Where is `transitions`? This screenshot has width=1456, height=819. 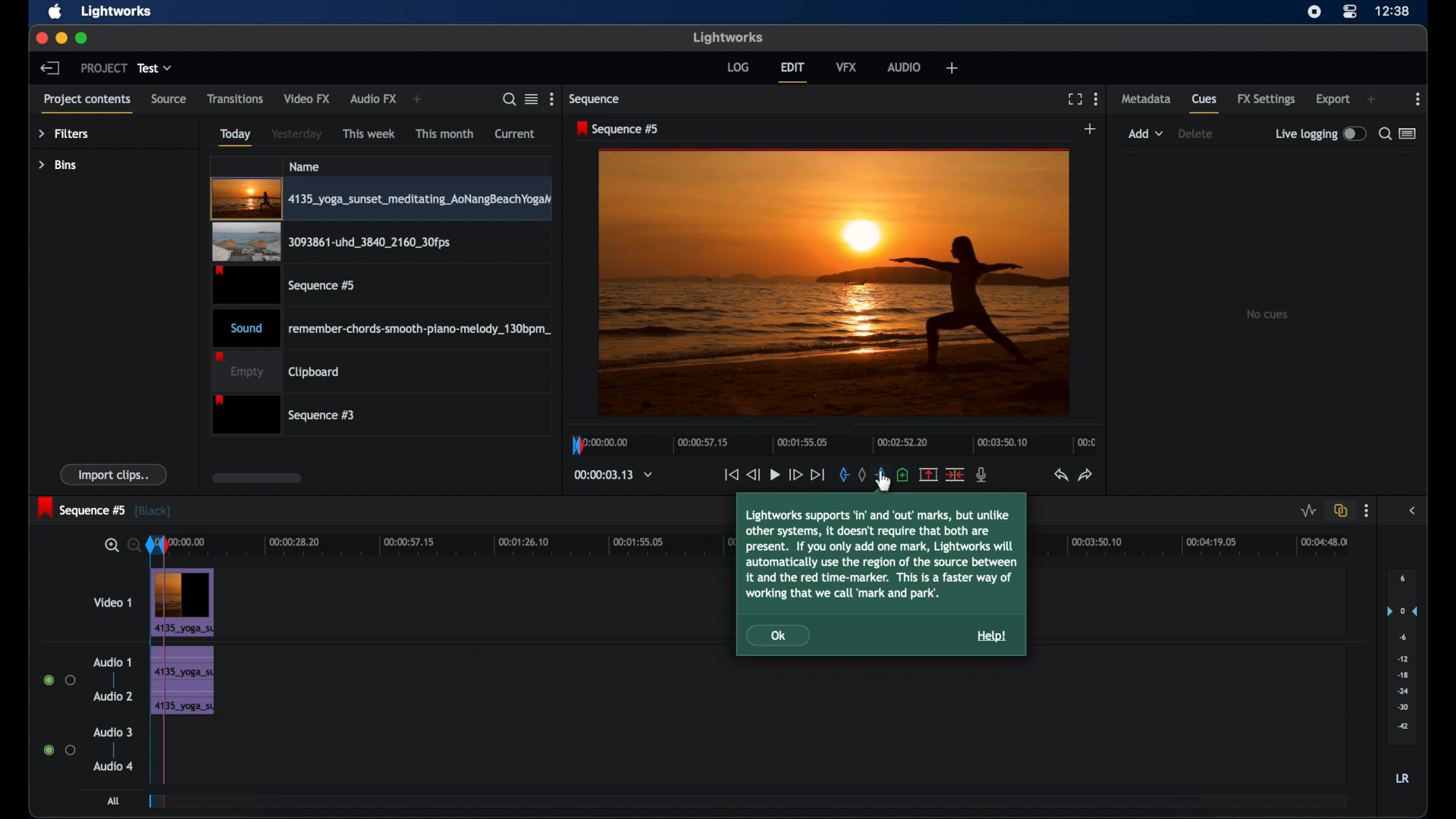
transitions is located at coordinates (235, 99).